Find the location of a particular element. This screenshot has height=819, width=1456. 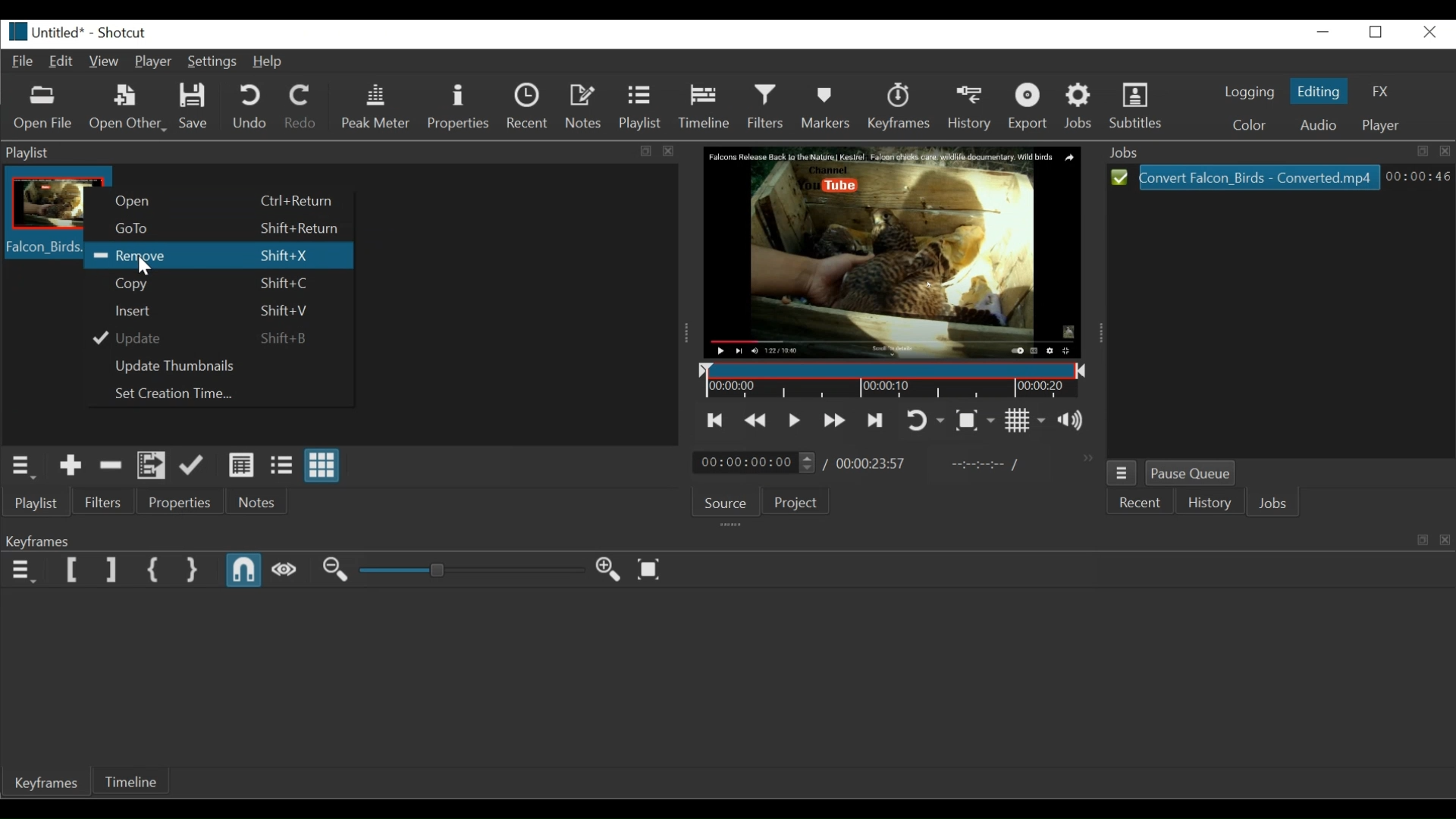

Keyframe is located at coordinates (48, 786).